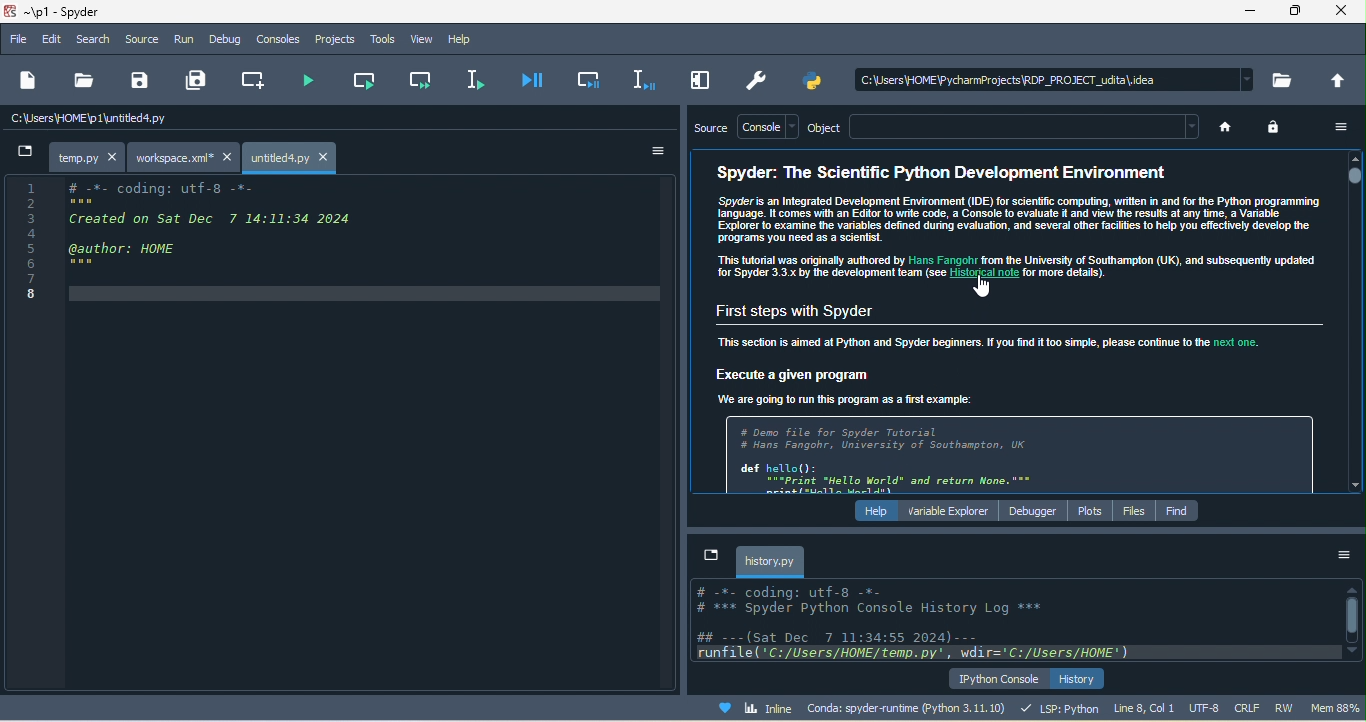 The image size is (1366, 722). Describe the element at coordinates (868, 511) in the screenshot. I see `help` at that location.